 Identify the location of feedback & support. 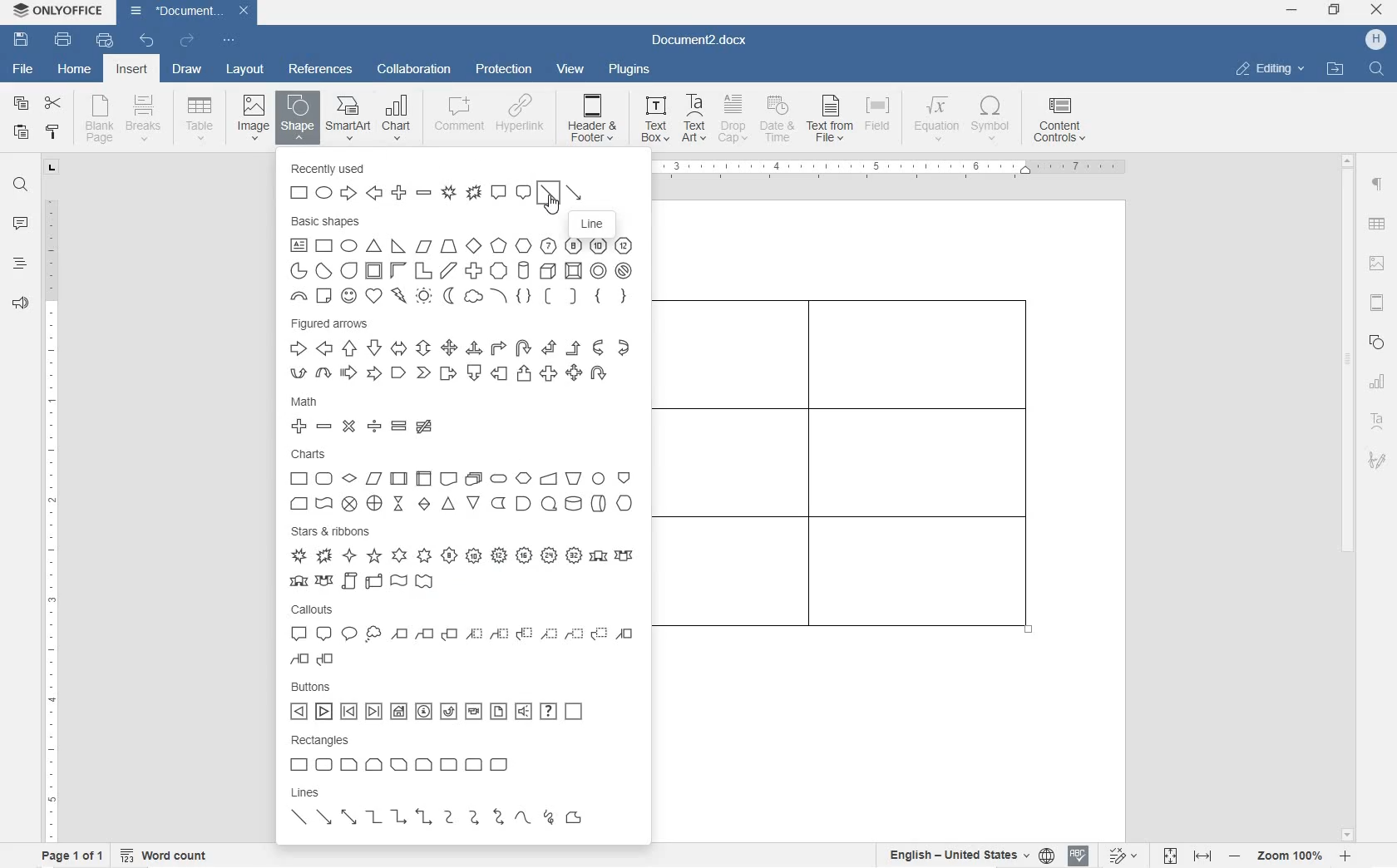
(20, 305).